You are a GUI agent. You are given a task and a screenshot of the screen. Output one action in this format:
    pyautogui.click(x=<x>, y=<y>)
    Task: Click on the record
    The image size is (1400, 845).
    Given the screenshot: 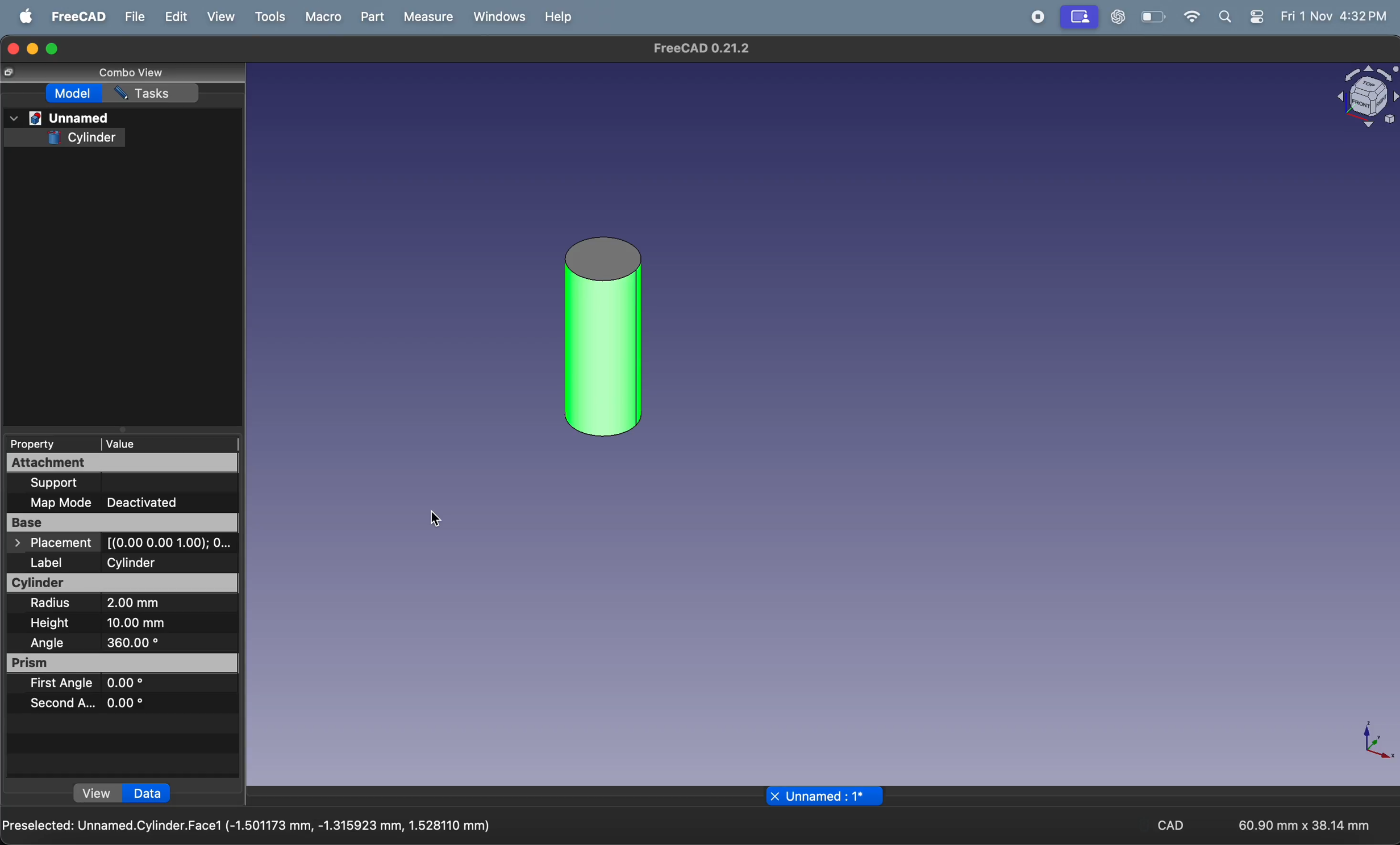 What is the action you would take?
    pyautogui.click(x=1080, y=17)
    